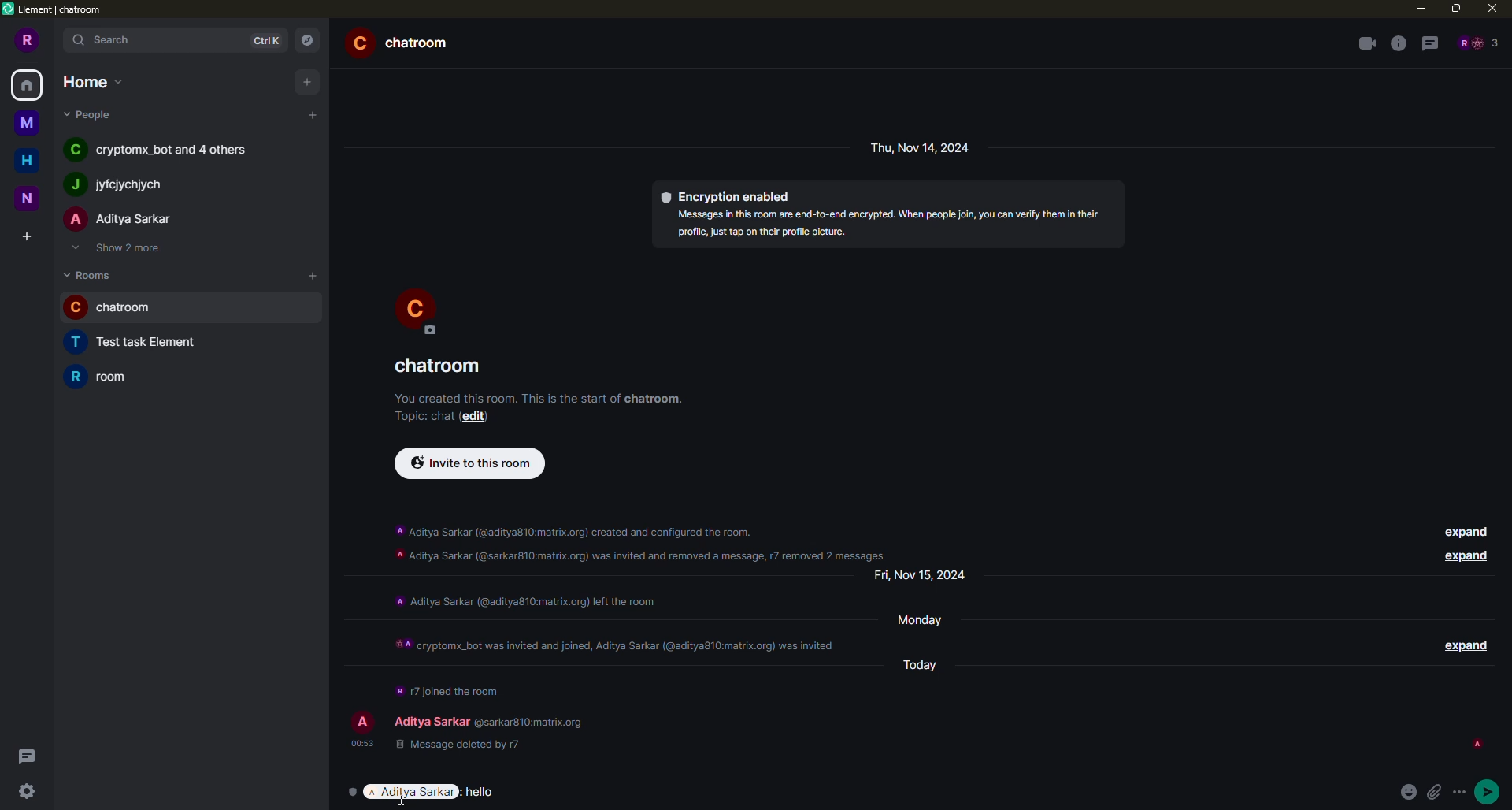 The height and width of the screenshot is (810, 1512). I want to click on show 2 more, so click(123, 249).